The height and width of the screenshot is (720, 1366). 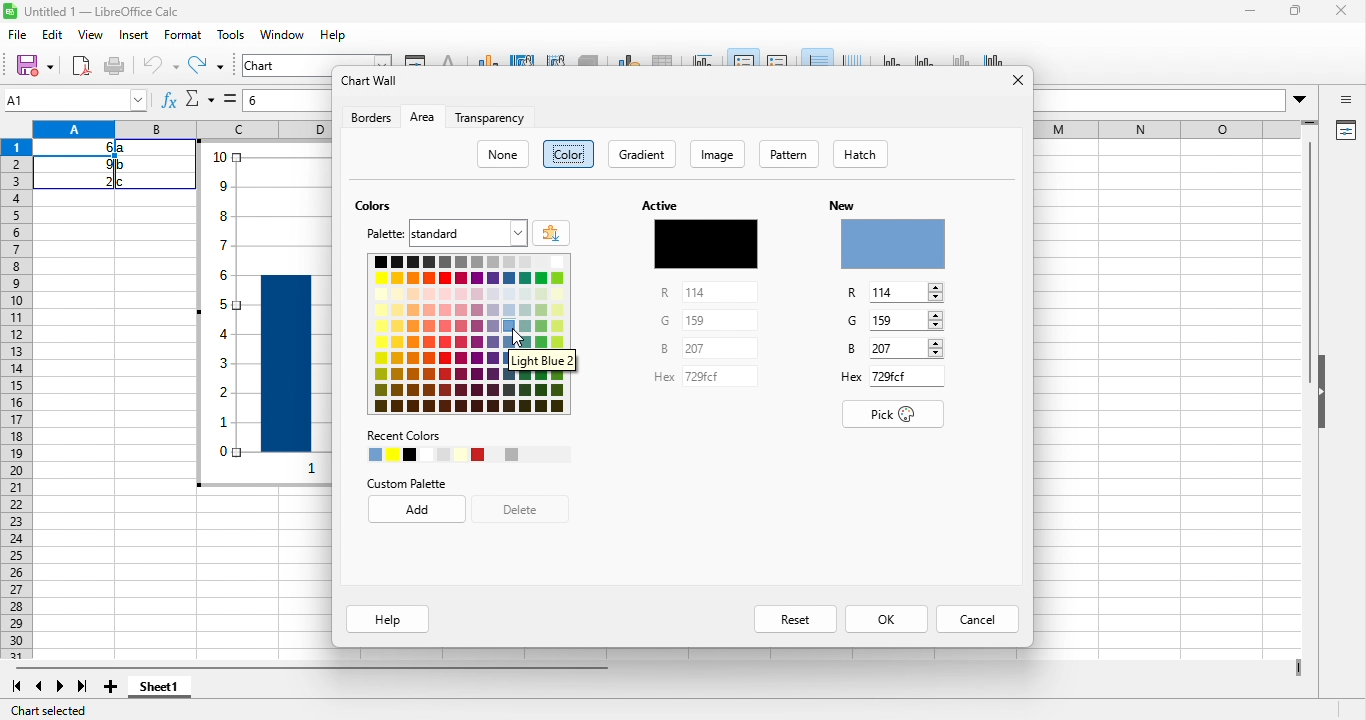 What do you see at coordinates (700, 292) in the screenshot?
I see `114` at bounding box center [700, 292].